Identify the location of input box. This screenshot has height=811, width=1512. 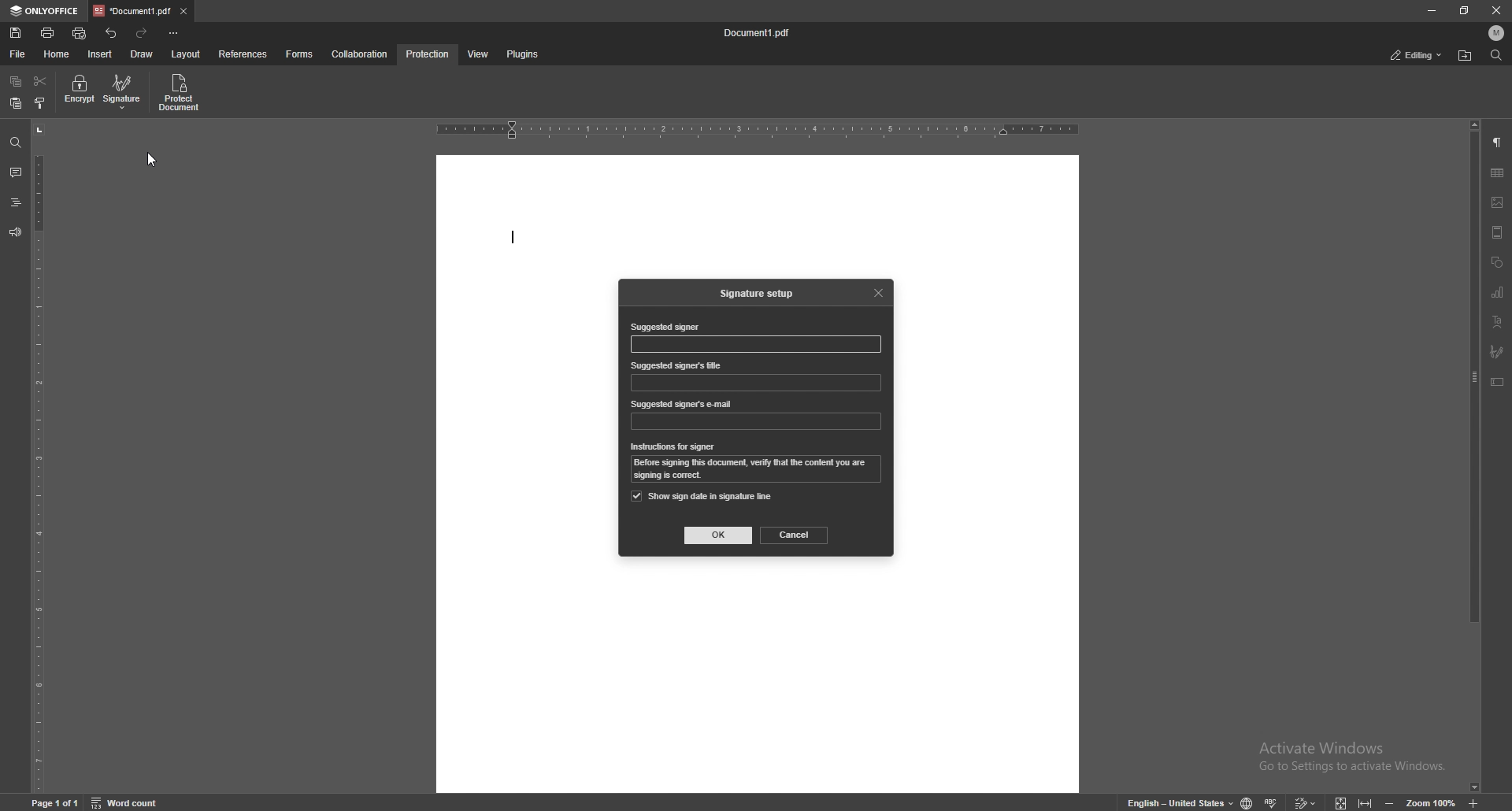
(755, 421).